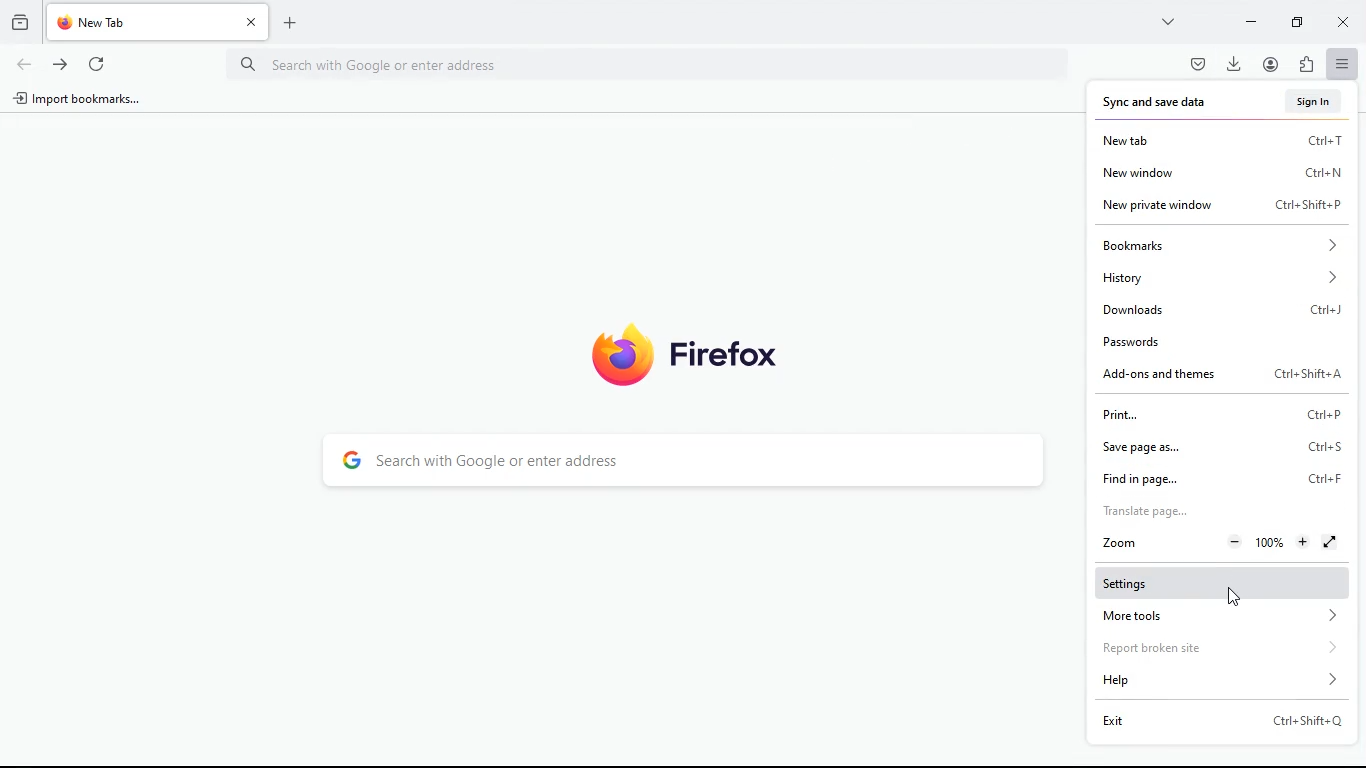  What do you see at coordinates (1217, 143) in the screenshot?
I see `new tab` at bounding box center [1217, 143].